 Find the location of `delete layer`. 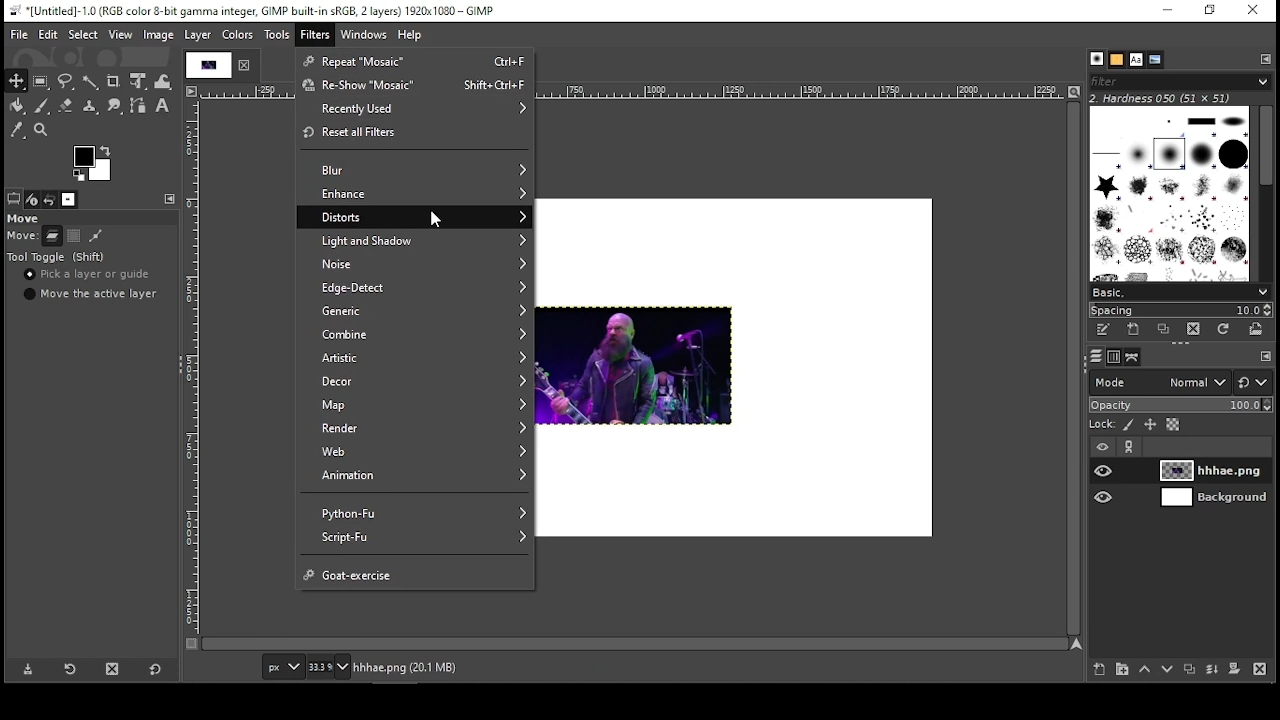

delete layer is located at coordinates (1263, 668).